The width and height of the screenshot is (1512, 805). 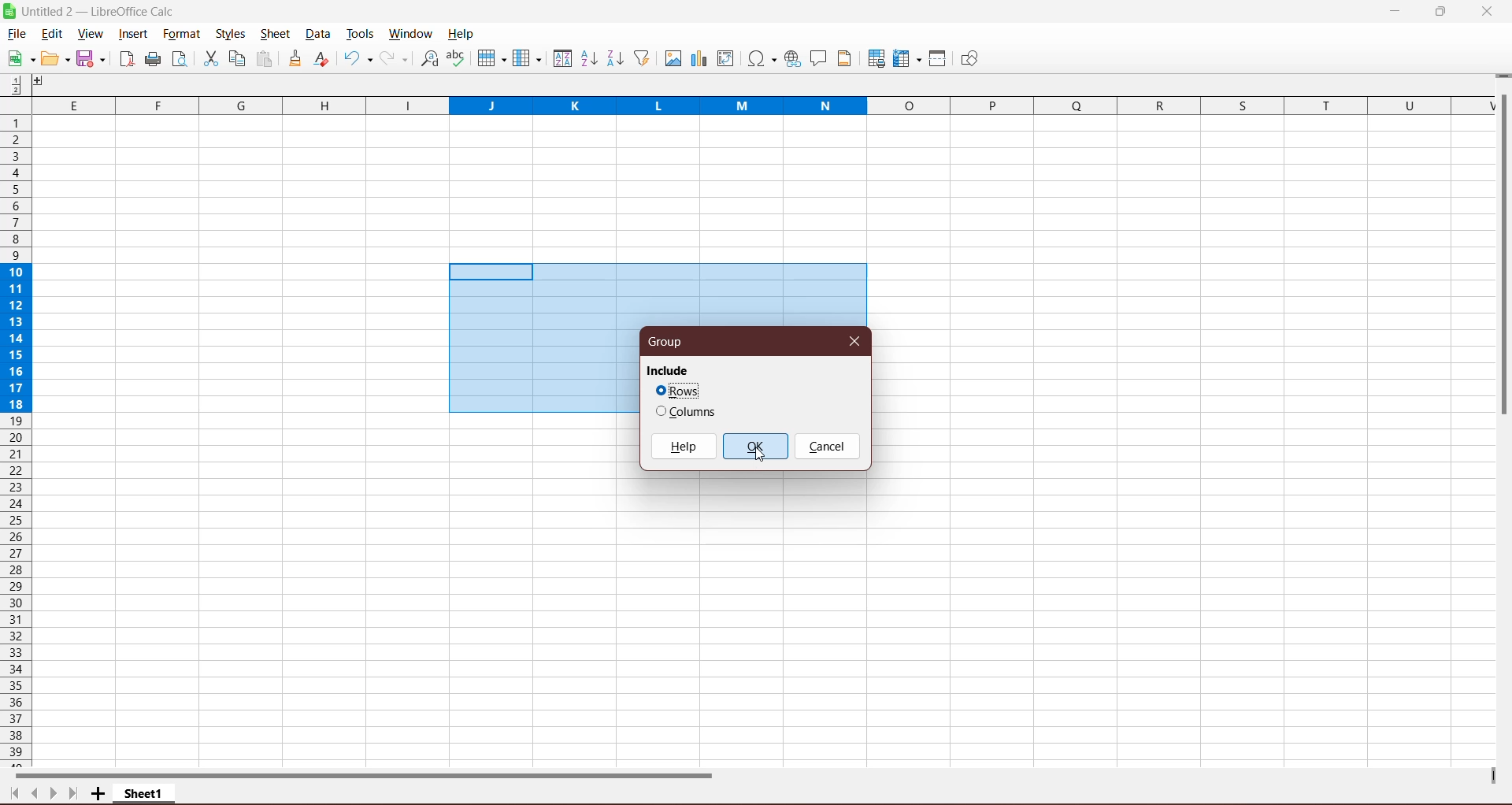 What do you see at coordinates (561, 58) in the screenshot?
I see `Sort` at bounding box center [561, 58].